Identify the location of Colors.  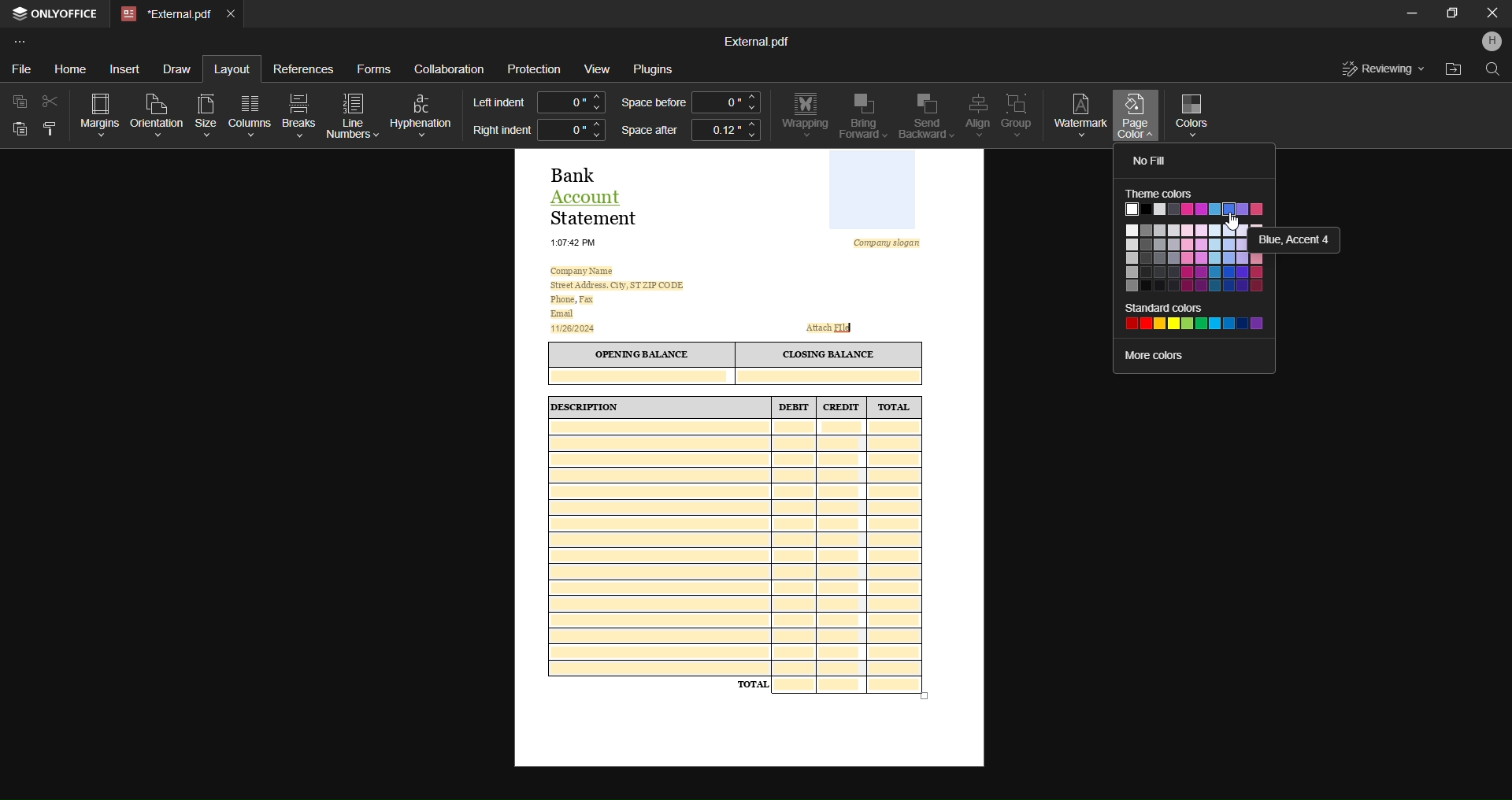
(1197, 113).